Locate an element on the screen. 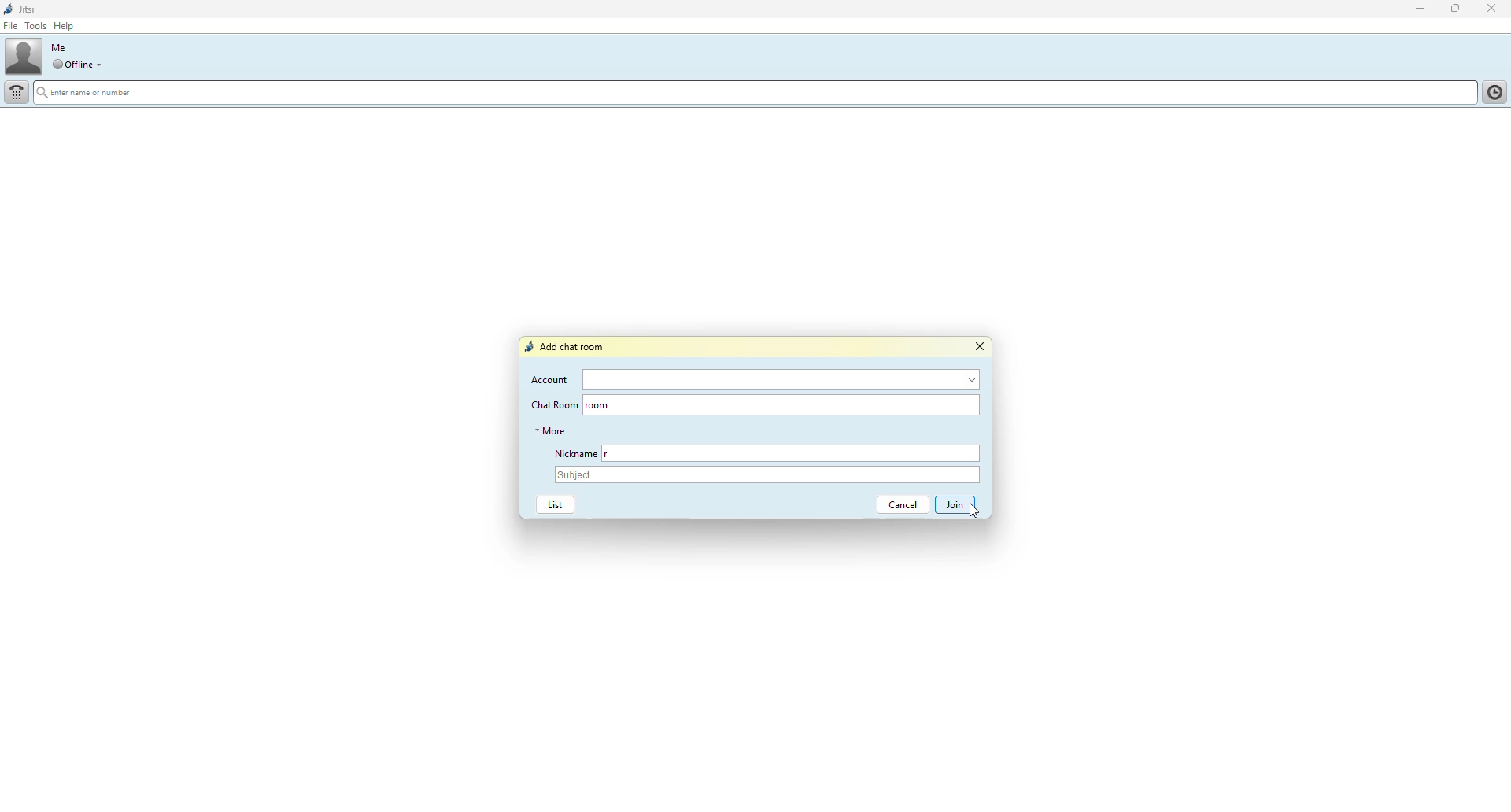 The image size is (1511, 812). file is located at coordinates (12, 26).